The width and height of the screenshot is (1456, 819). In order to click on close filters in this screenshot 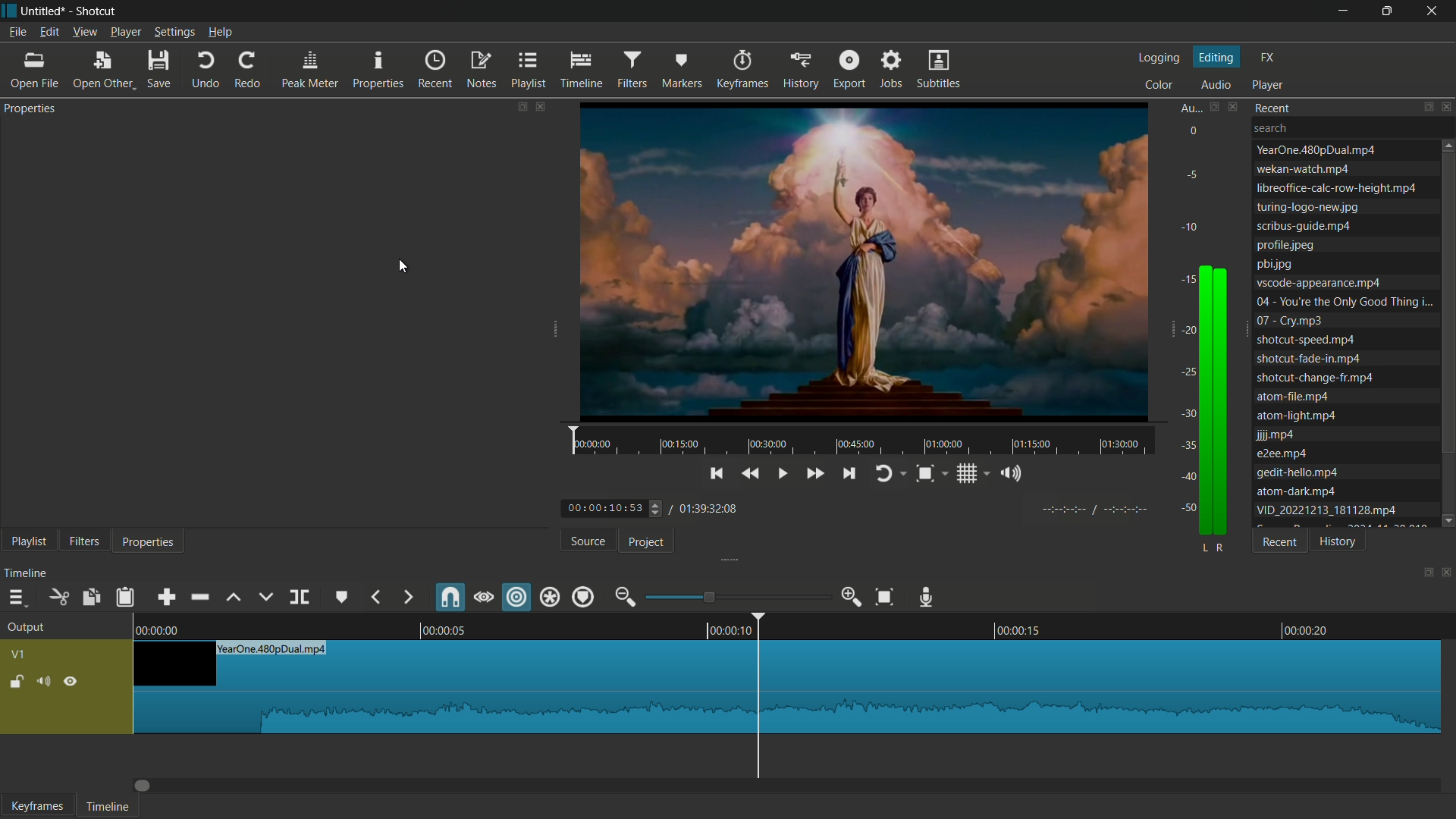, I will do `click(546, 110)`.